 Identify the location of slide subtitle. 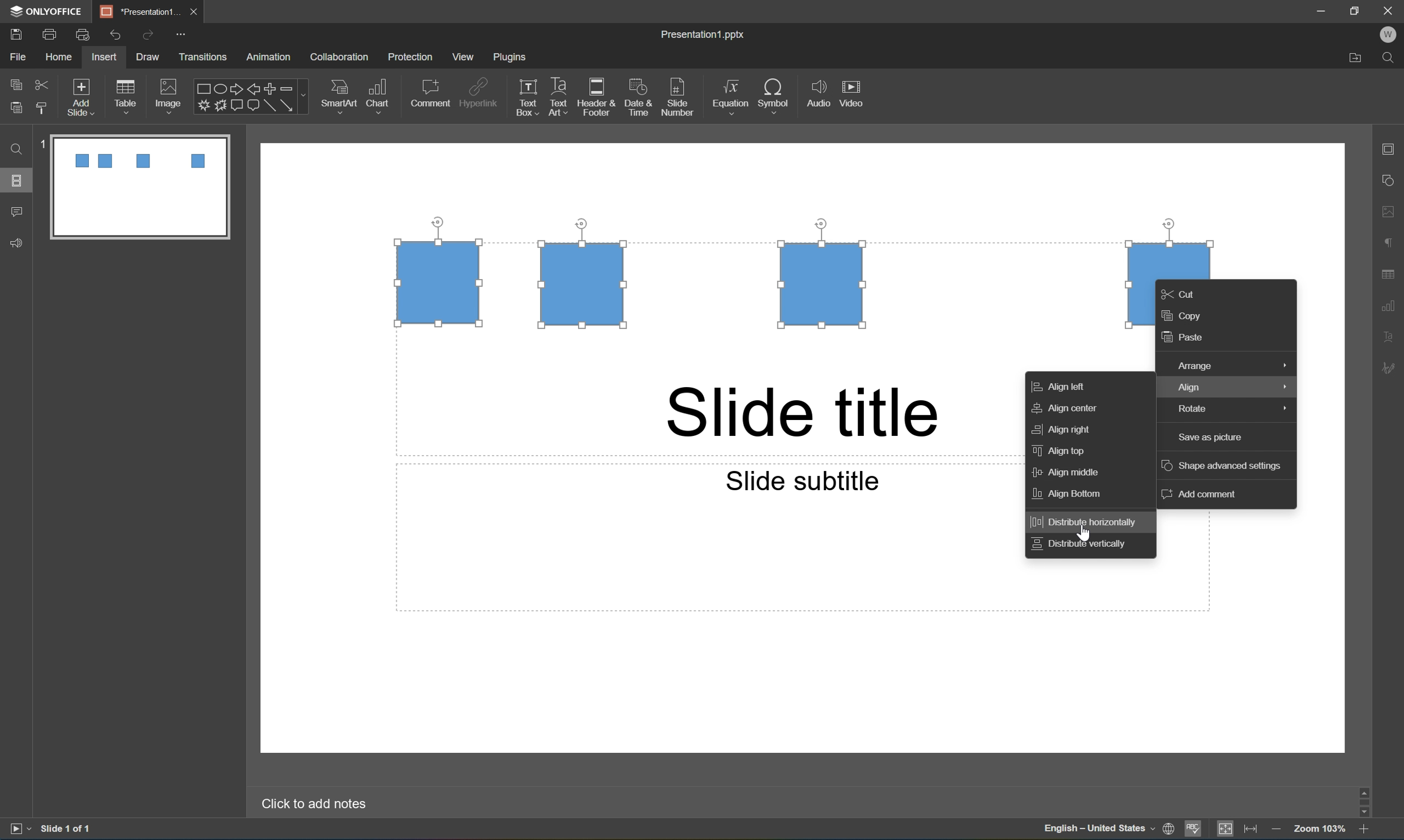
(801, 480).